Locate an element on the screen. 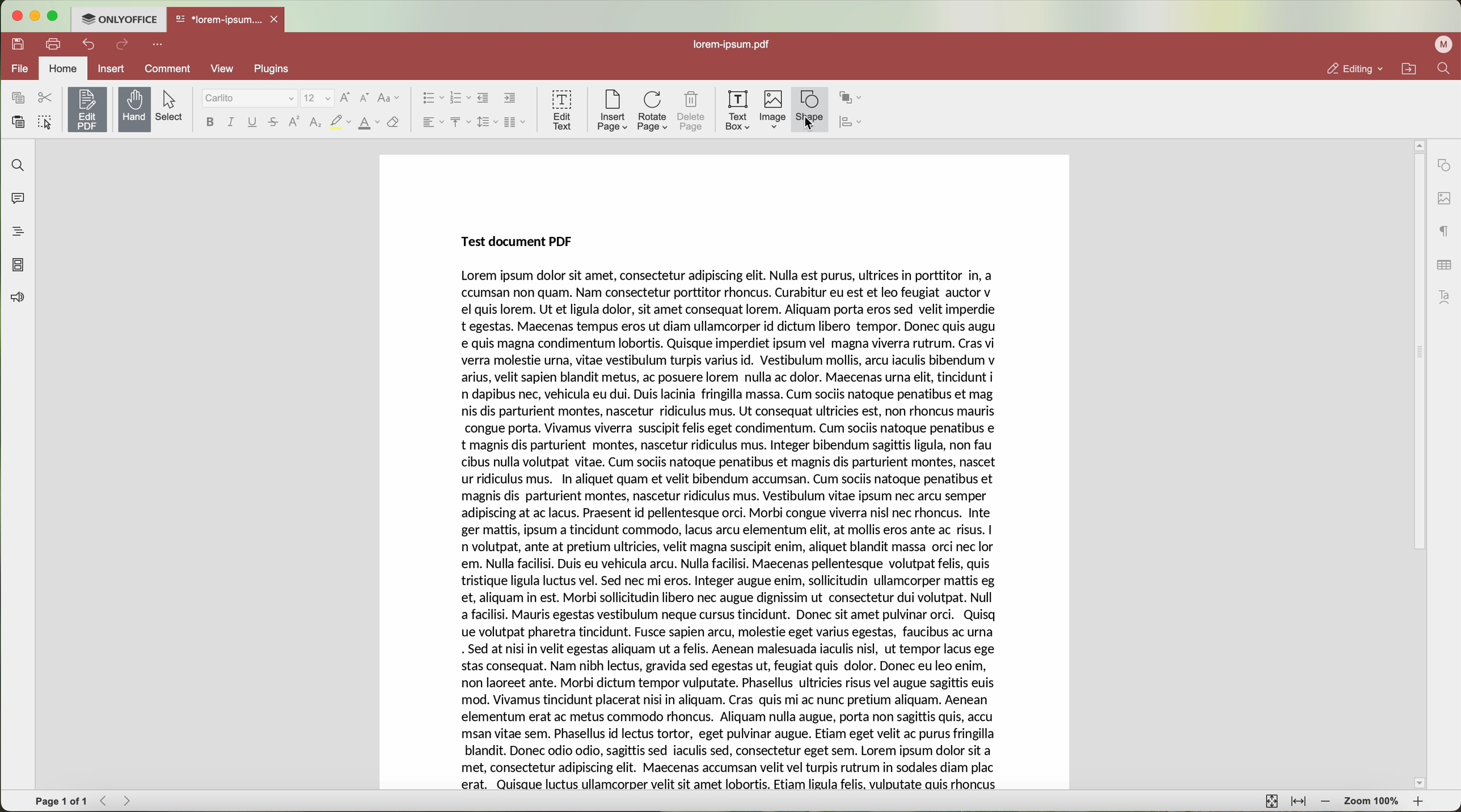 This screenshot has width=1461, height=812. size font is located at coordinates (319, 98).